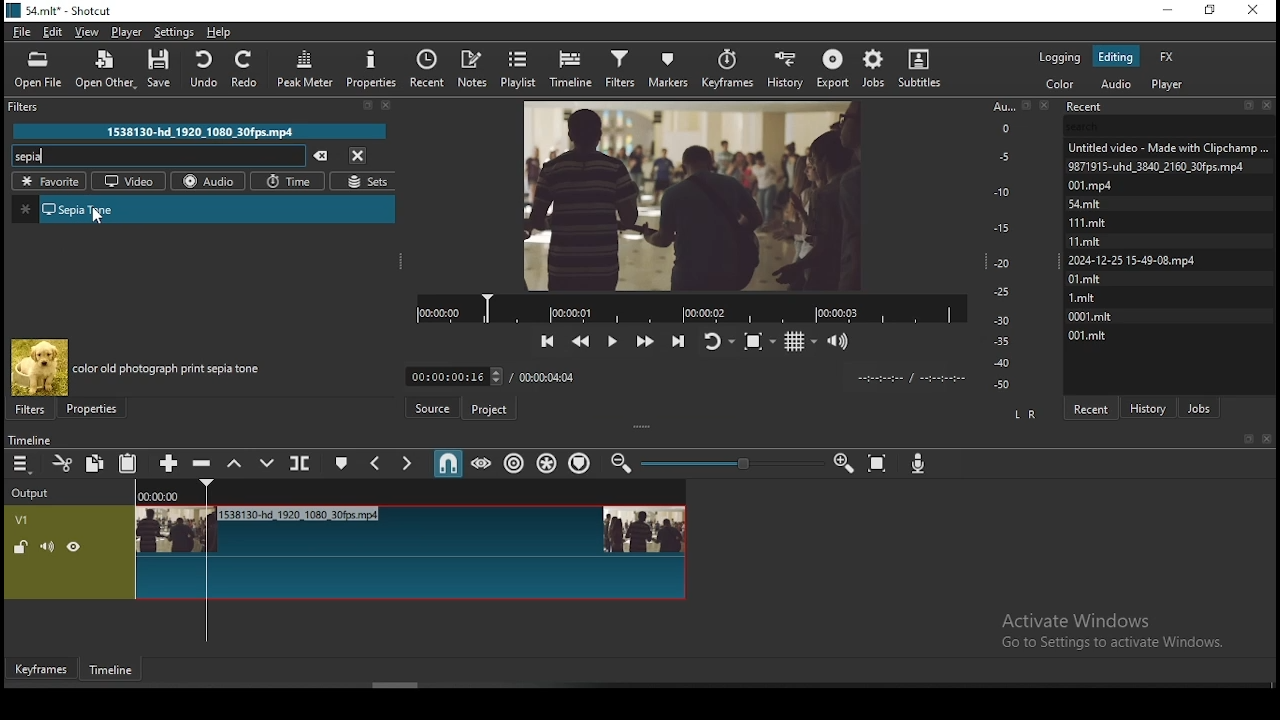  I want to click on 0l.mit, so click(1087, 278).